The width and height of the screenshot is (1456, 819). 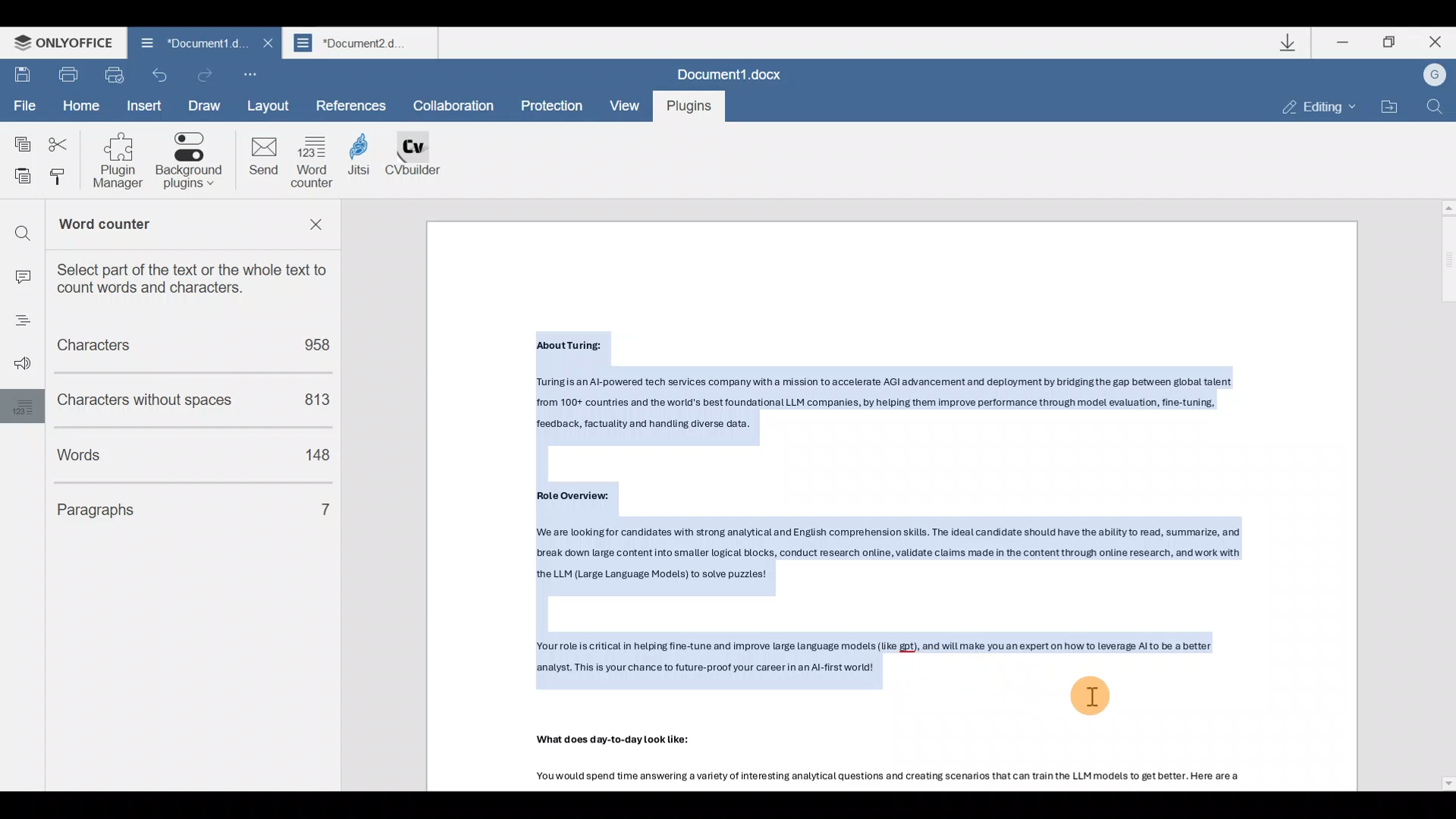 I want to click on Word counter, so click(x=150, y=226).